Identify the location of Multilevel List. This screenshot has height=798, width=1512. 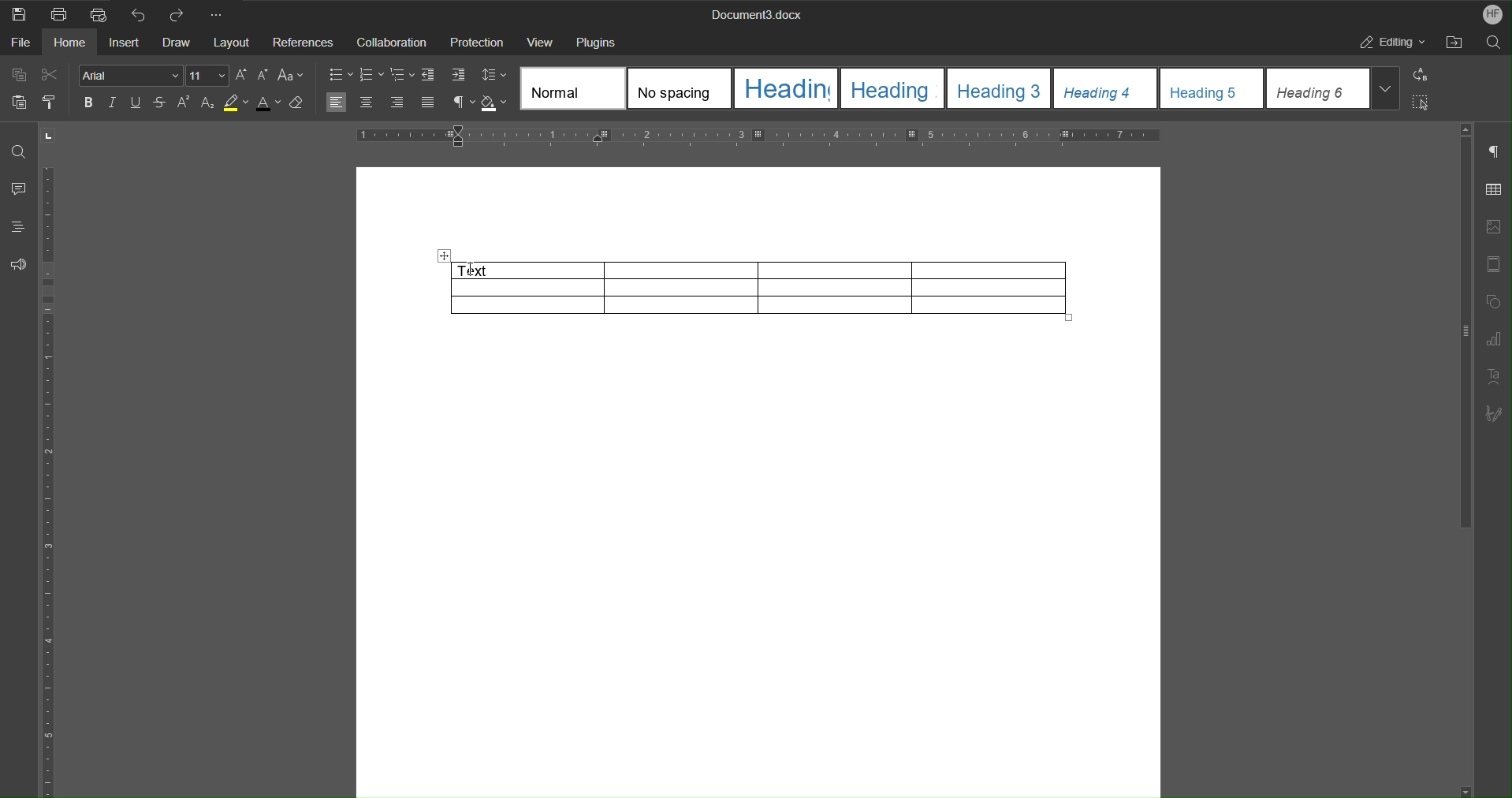
(402, 76).